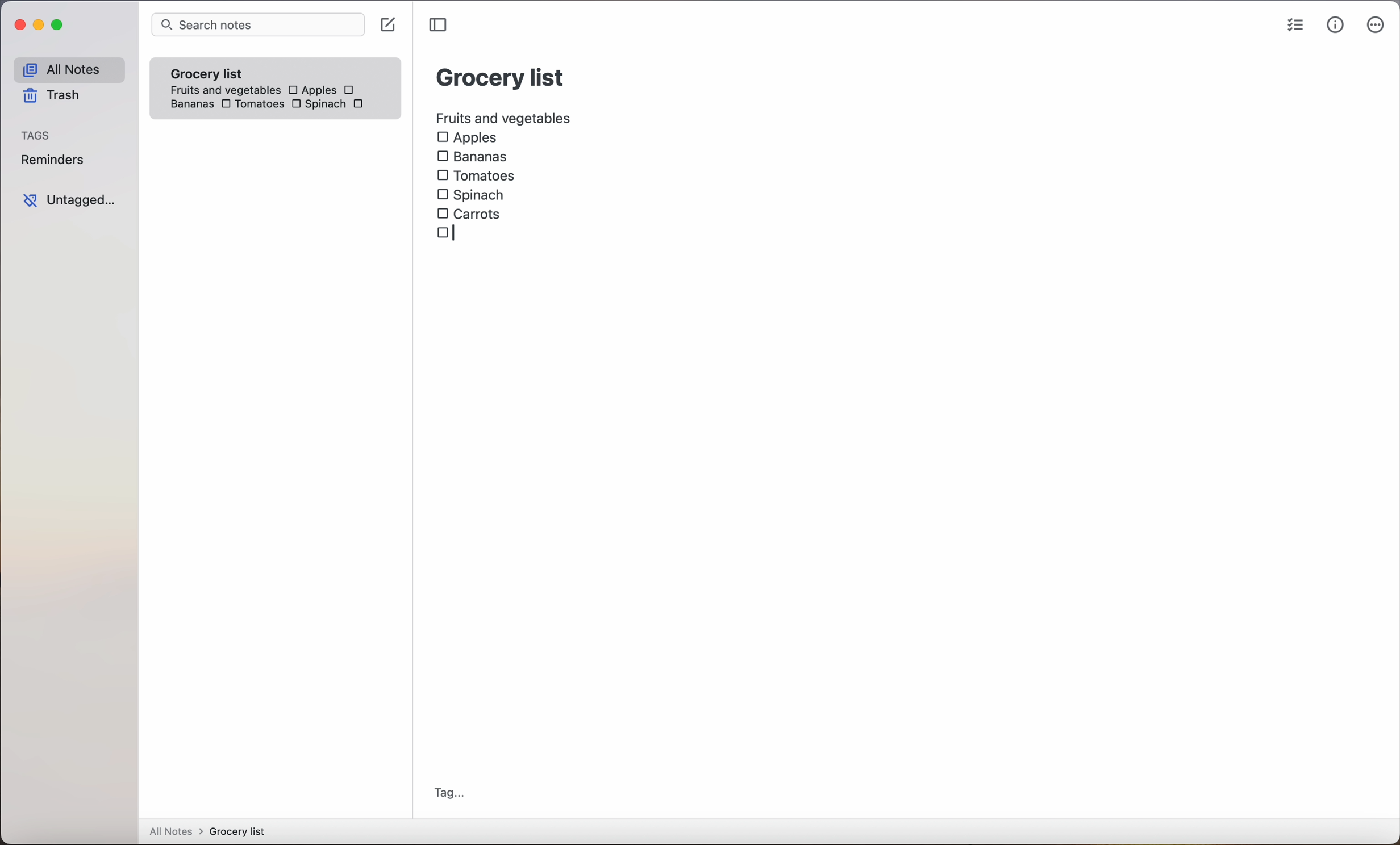 The height and width of the screenshot is (845, 1400). What do you see at coordinates (251, 105) in the screenshot?
I see `Tomatoes checkbox` at bounding box center [251, 105].